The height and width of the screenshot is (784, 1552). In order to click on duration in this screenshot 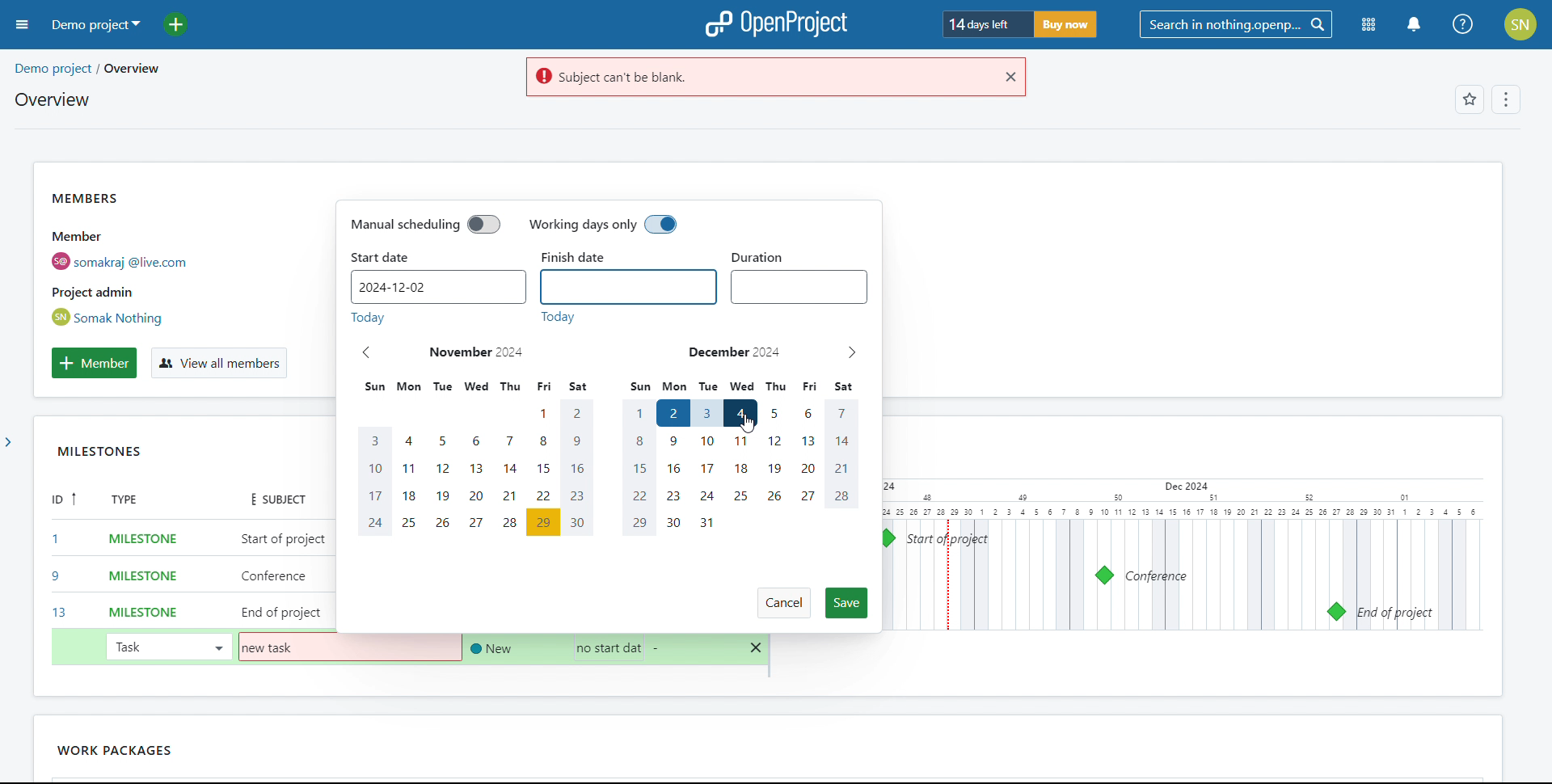, I will do `click(799, 287)`.